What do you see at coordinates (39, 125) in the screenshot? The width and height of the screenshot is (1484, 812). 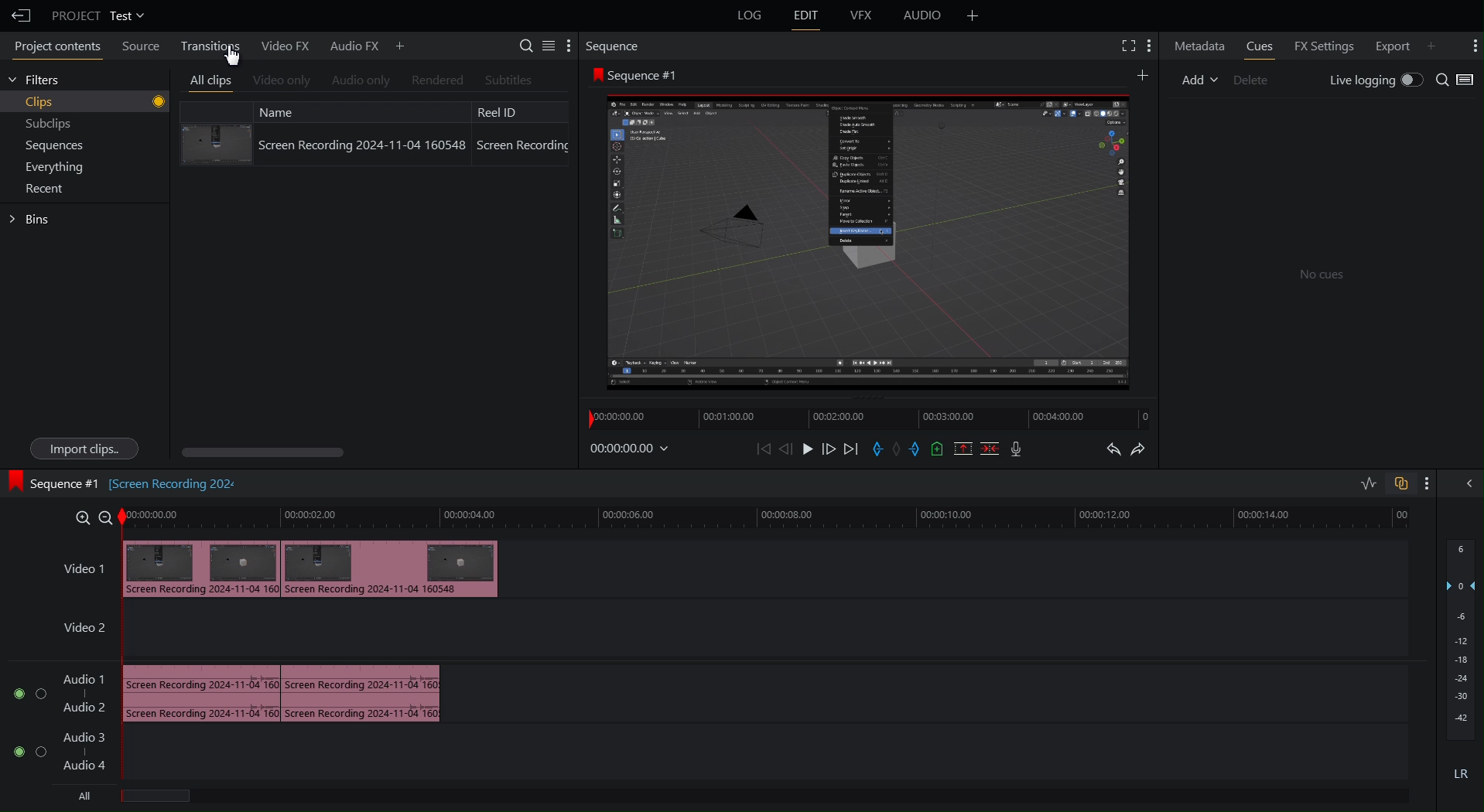 I see `Subclips` at bounding box center [39, 125].